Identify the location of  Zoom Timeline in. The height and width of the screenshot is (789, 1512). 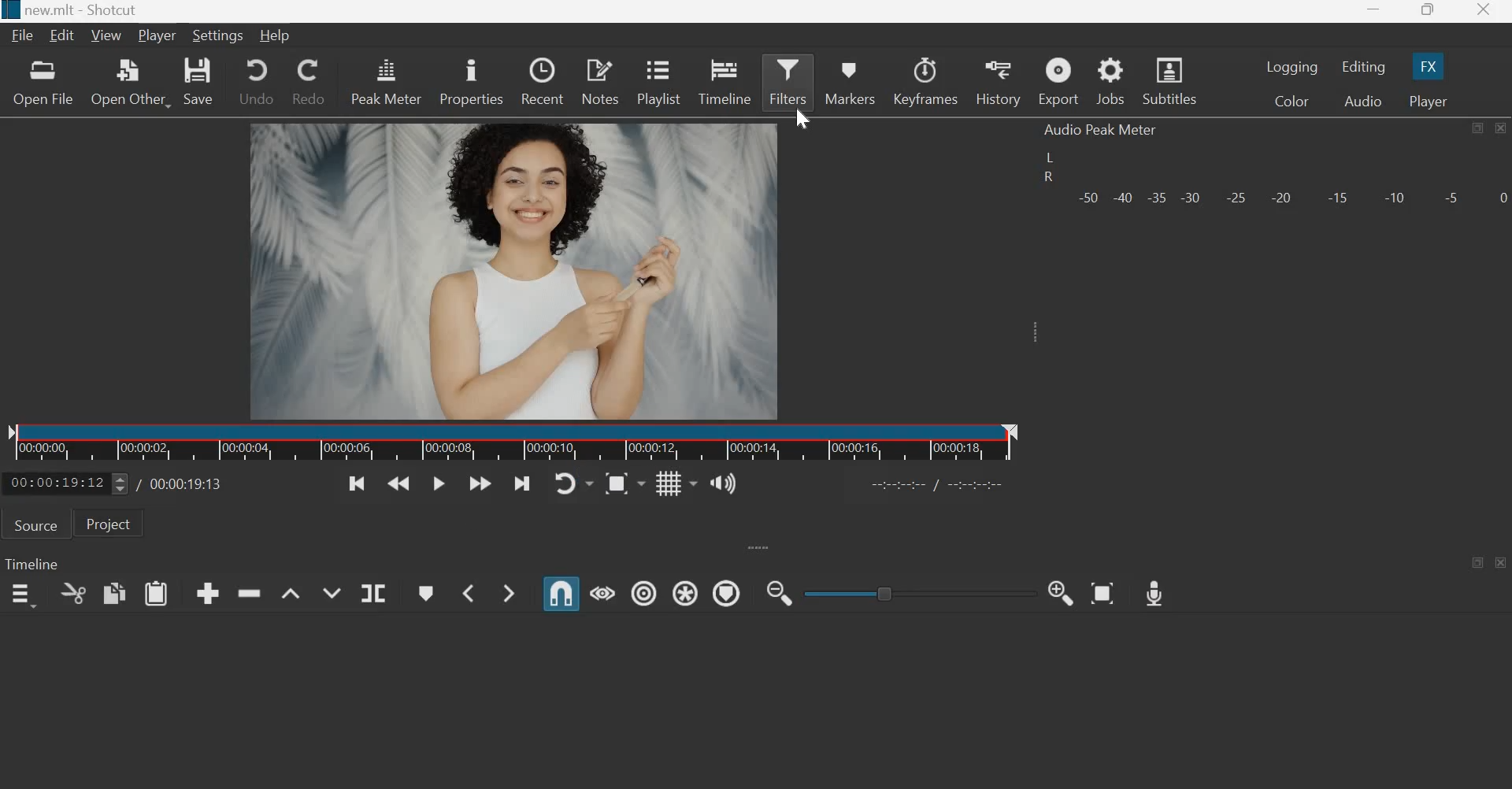
(1060, 591).